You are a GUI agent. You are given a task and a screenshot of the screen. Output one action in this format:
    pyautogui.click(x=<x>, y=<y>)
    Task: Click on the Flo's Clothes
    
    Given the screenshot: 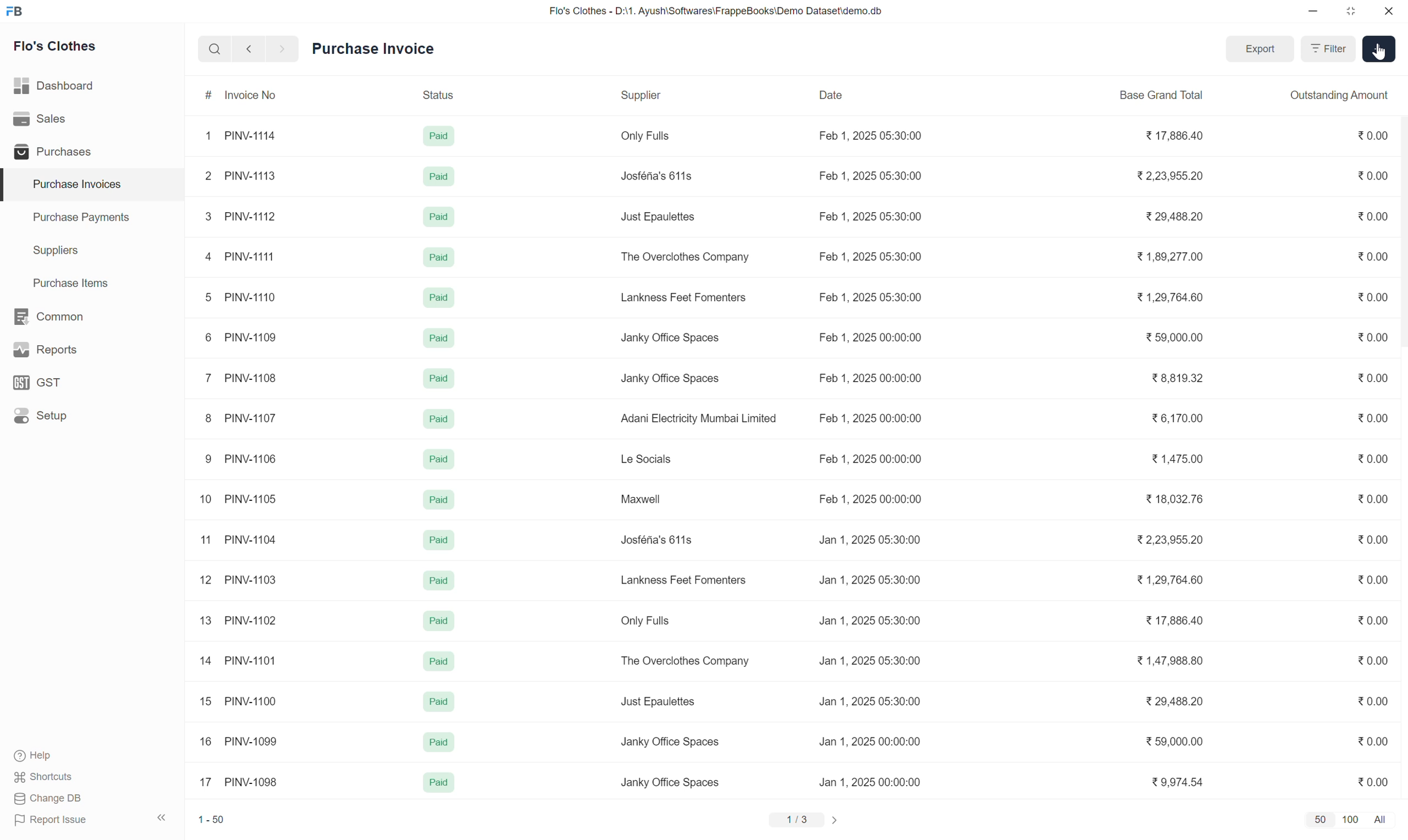 What is the action you would take?
    pyautogui.click(x=55, y=46)
    